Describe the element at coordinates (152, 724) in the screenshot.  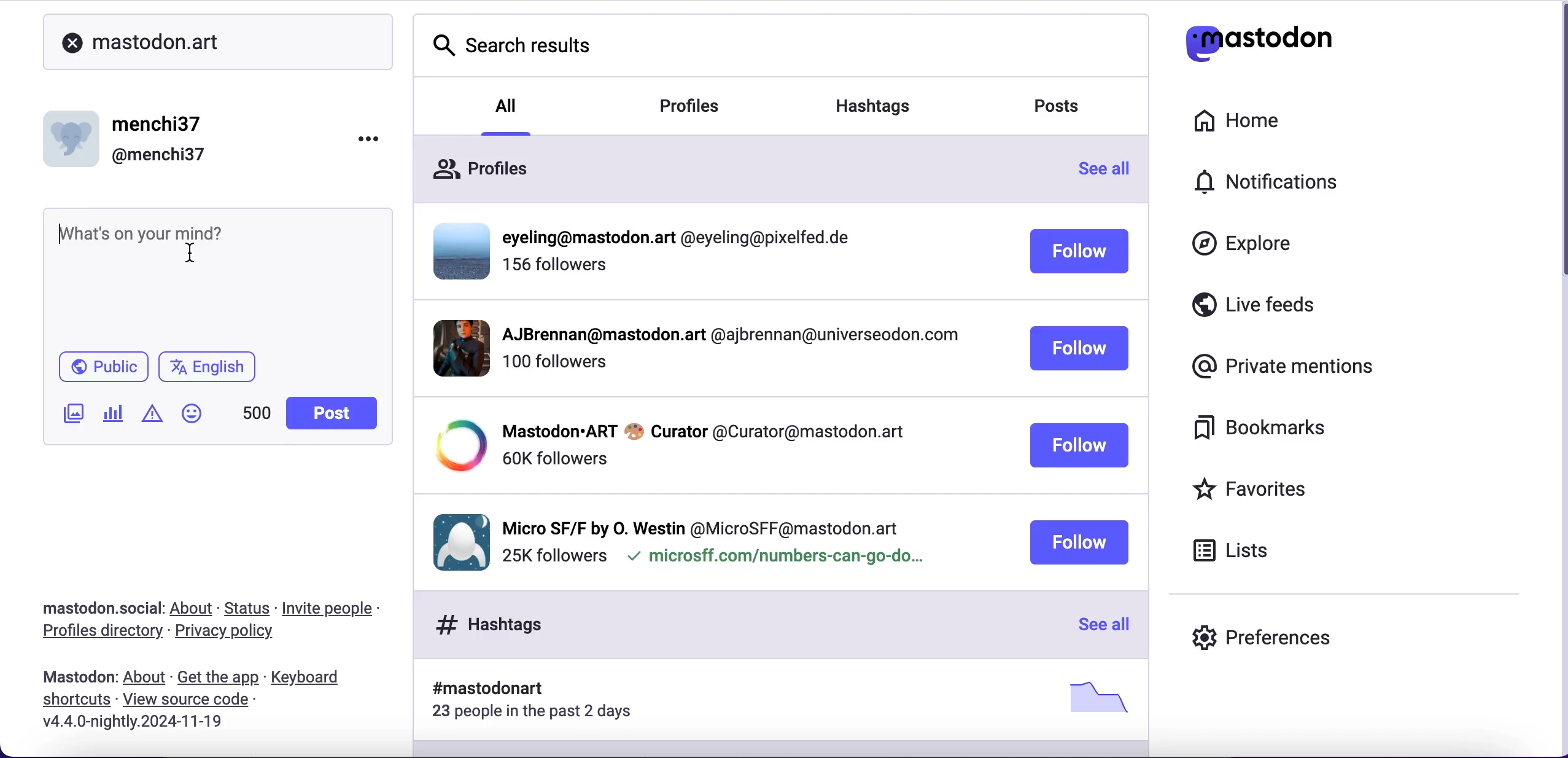
I see `2024-11-19` at that location.